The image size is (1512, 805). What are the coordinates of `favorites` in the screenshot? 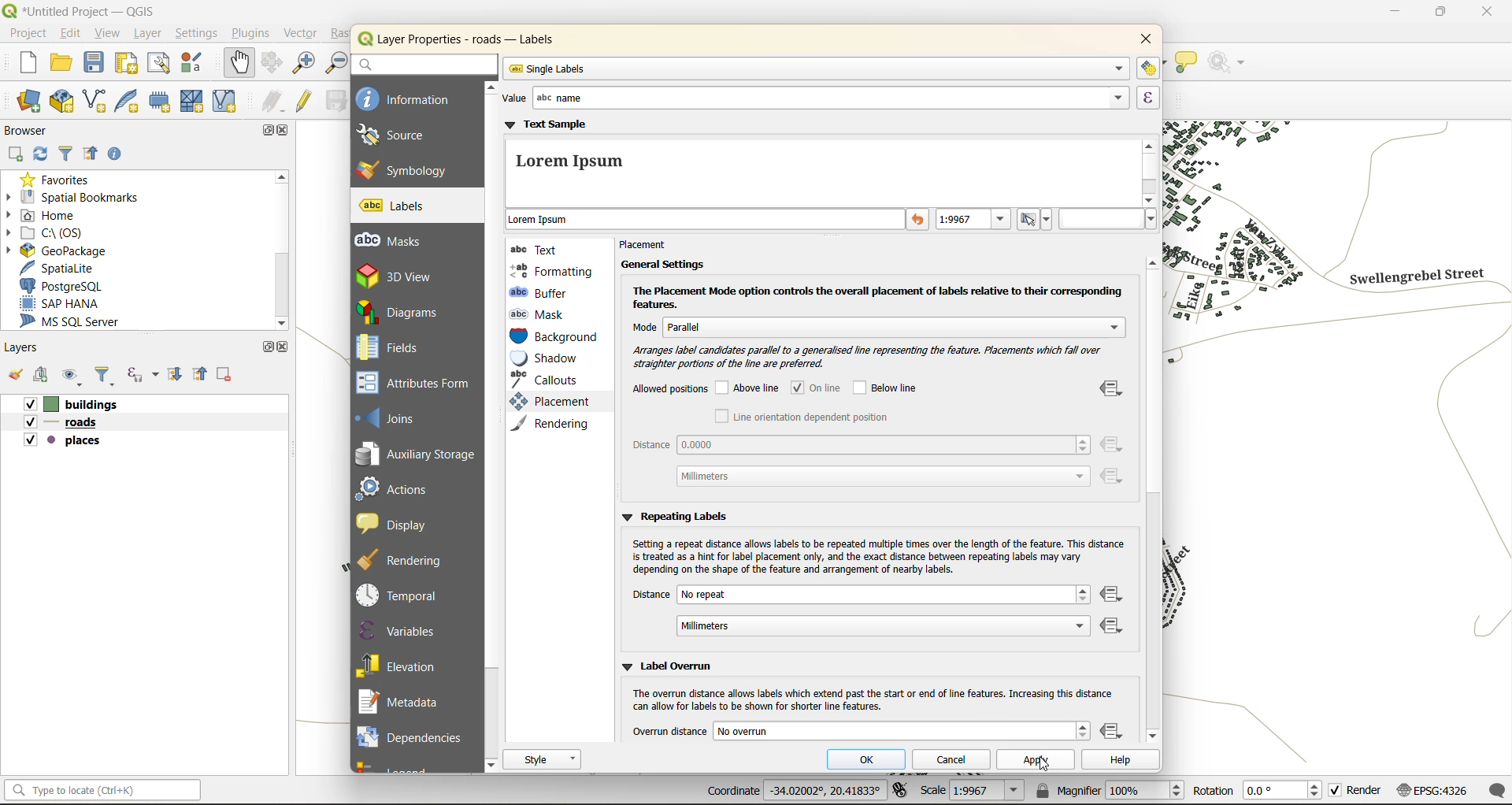 It's located at (59, 181).